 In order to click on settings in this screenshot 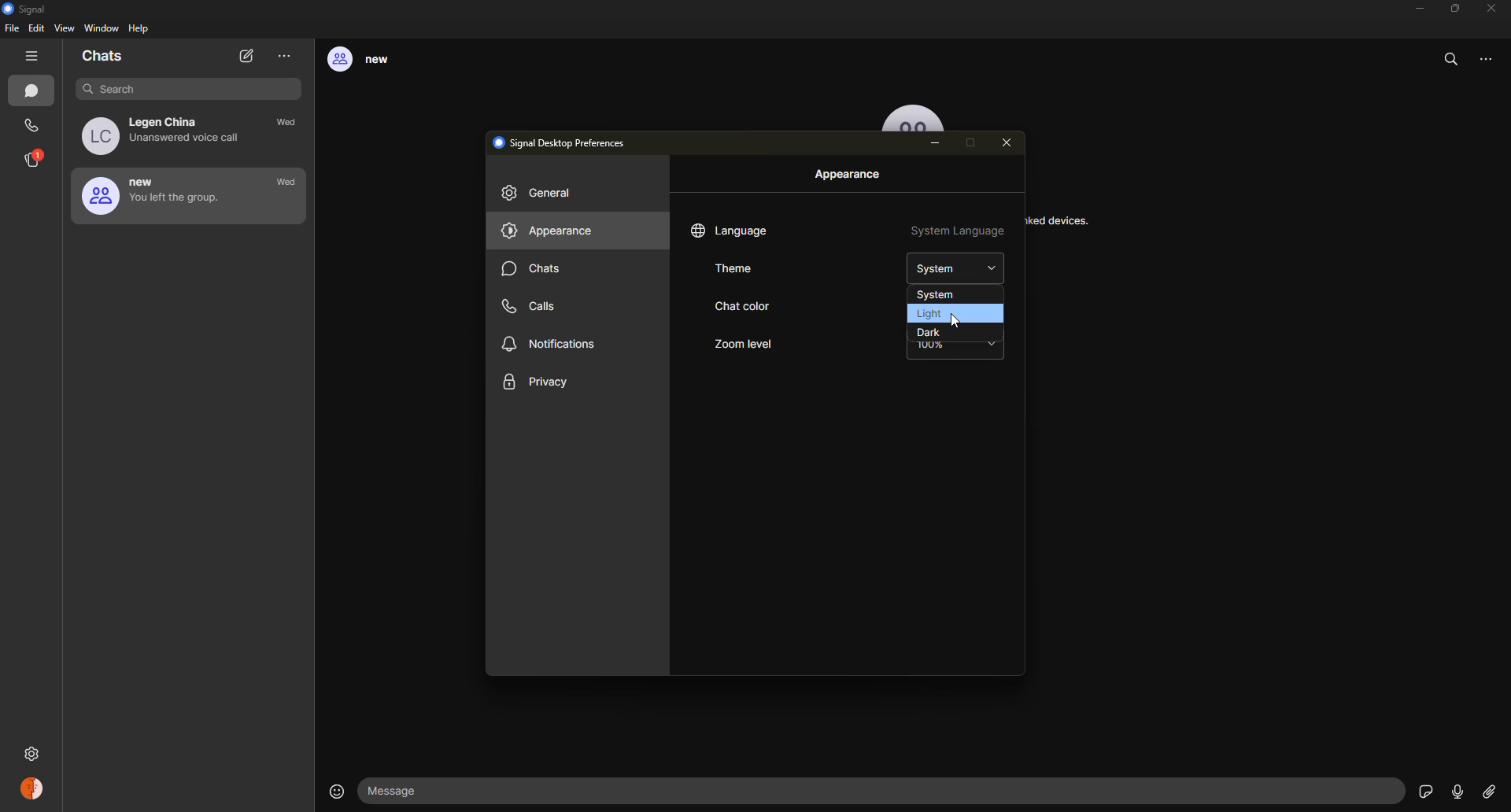, I will do `click(34, 751)`.